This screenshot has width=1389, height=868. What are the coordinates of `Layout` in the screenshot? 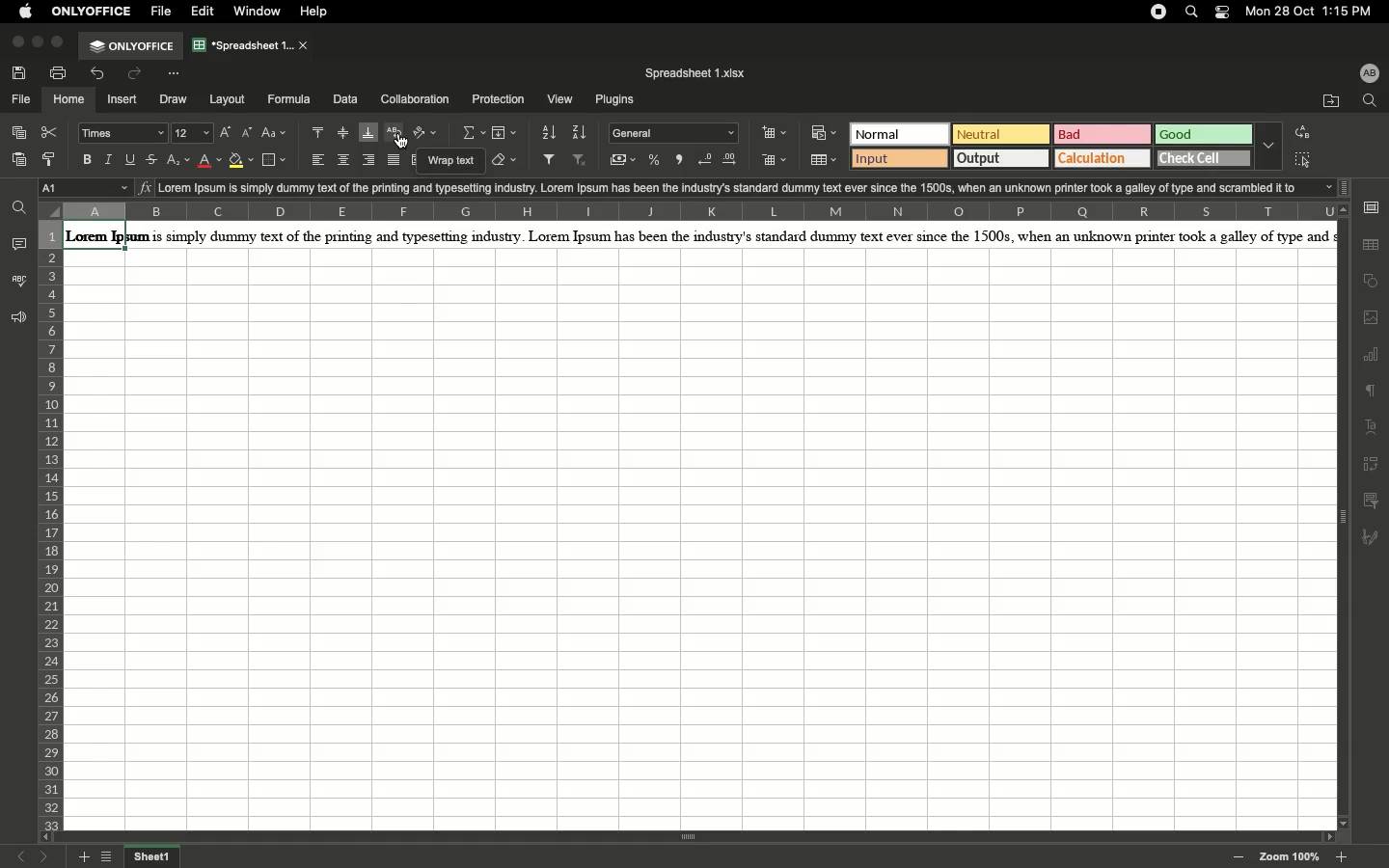 It's located at (229, 99).